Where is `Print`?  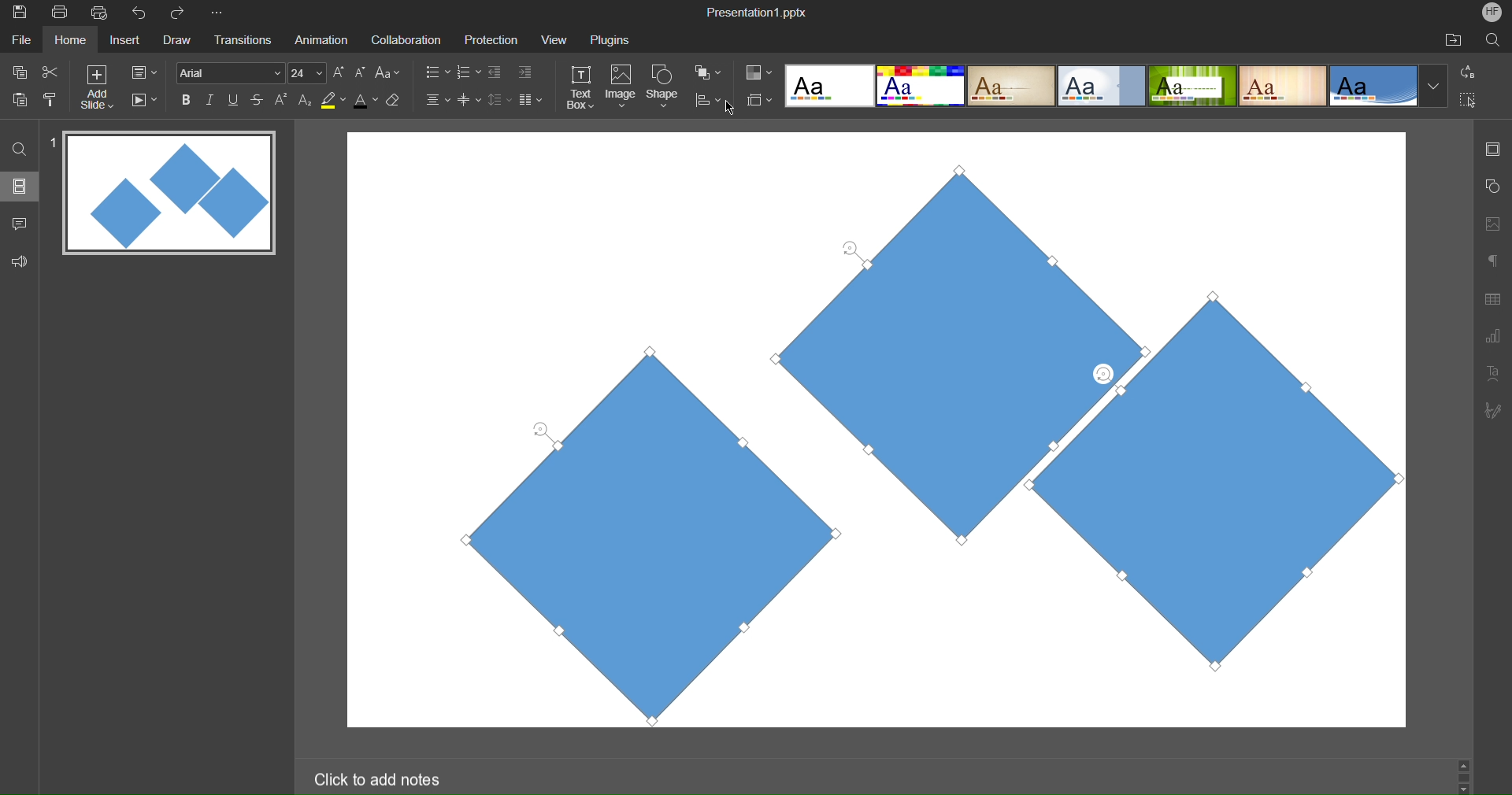 Print is located at coordinates (59, 13).